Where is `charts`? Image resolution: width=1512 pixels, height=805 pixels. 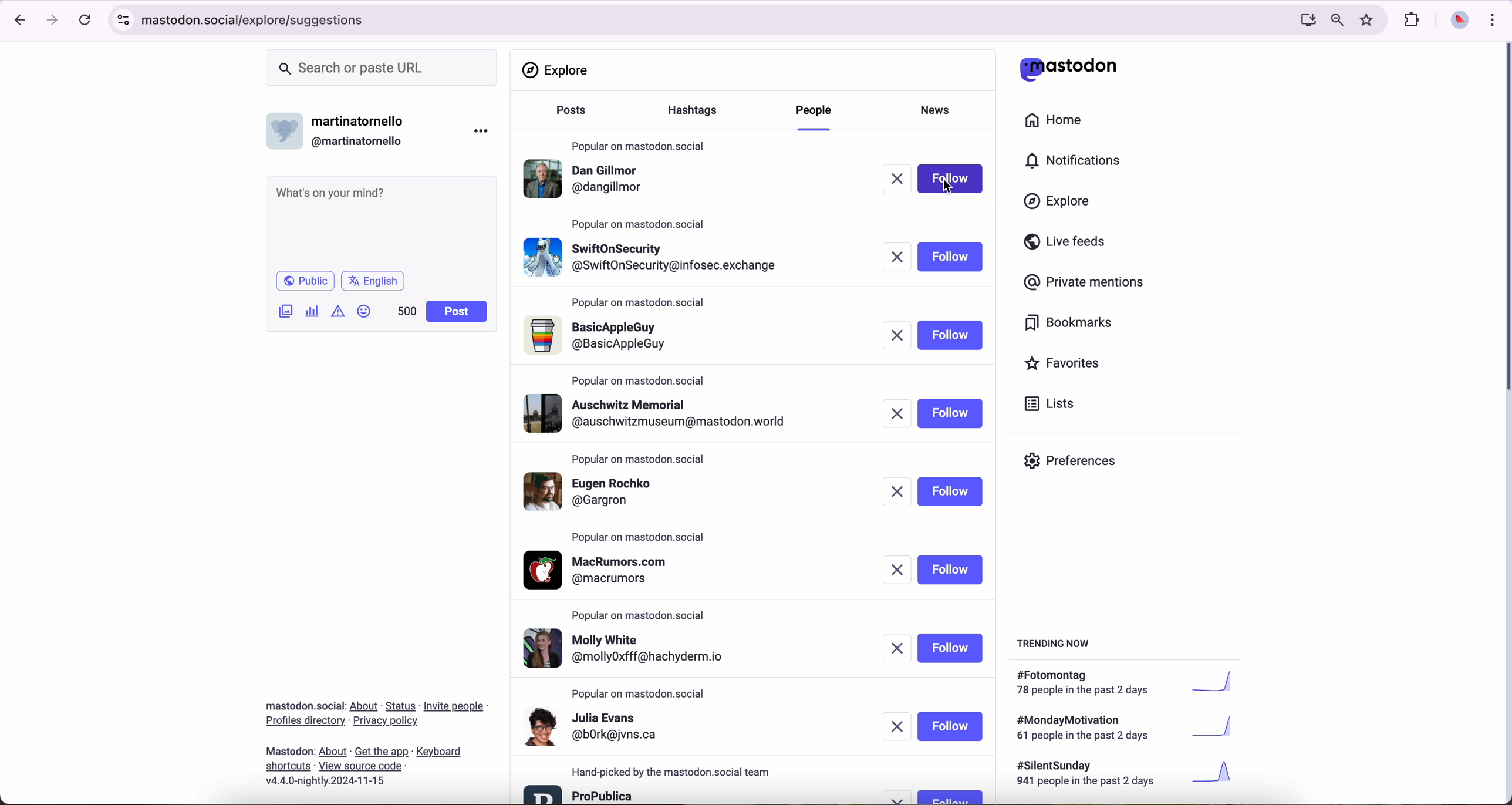 charts is located at coordinates (315, 311).